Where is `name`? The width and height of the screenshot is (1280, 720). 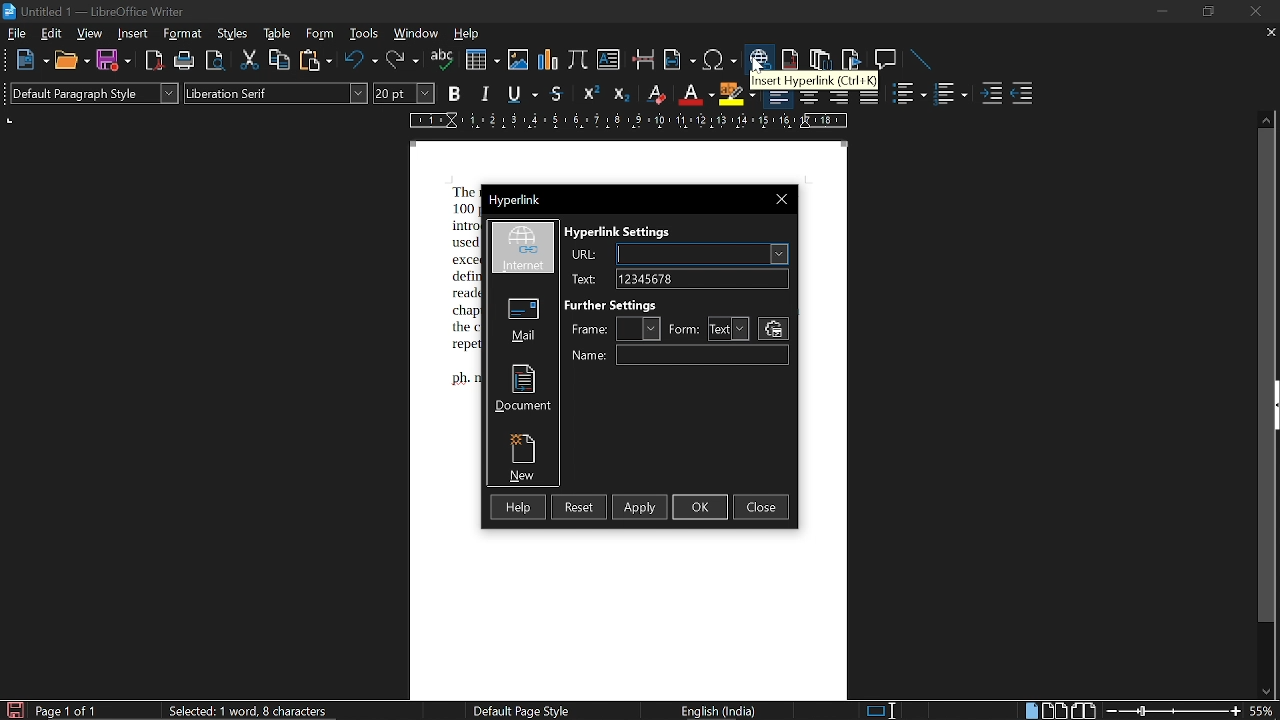 name is located at coordinates (589, 355).